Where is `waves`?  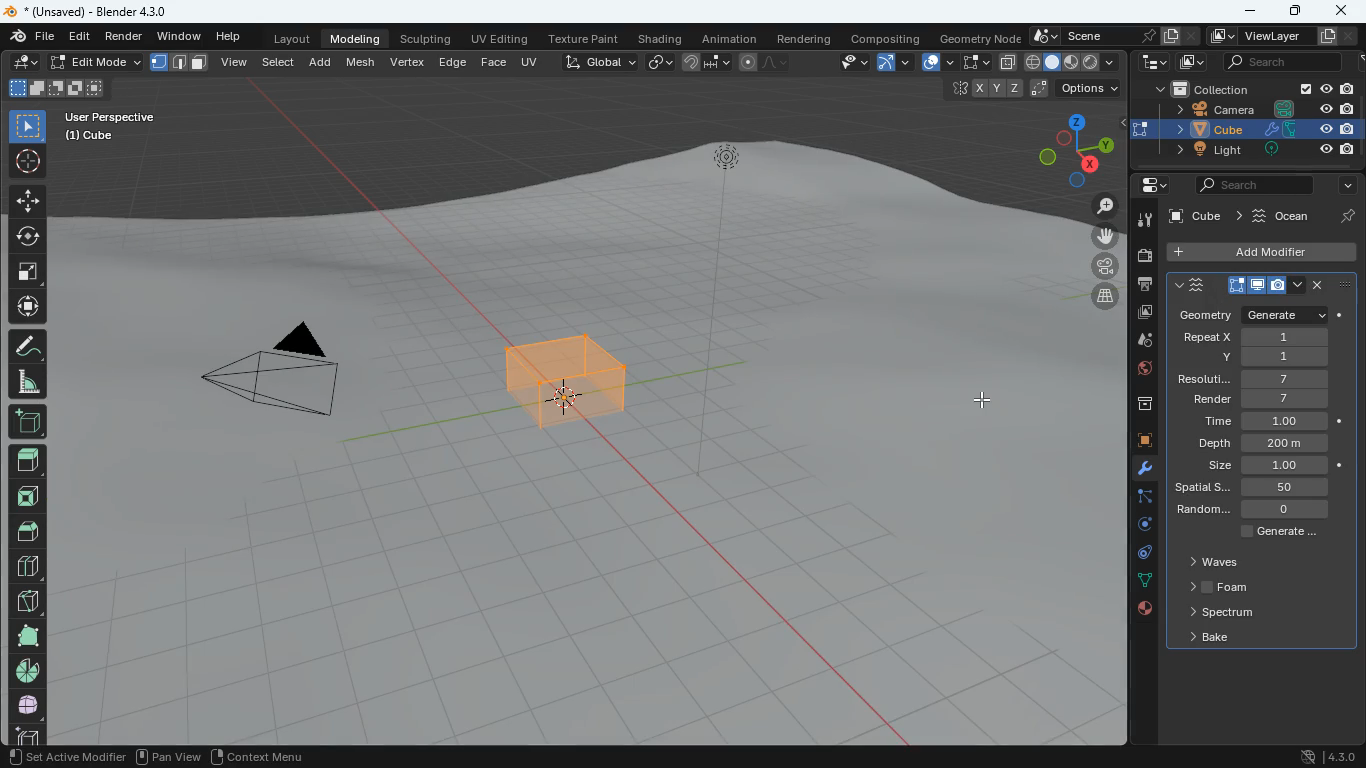
waves is located at coordinates (1215, 562).